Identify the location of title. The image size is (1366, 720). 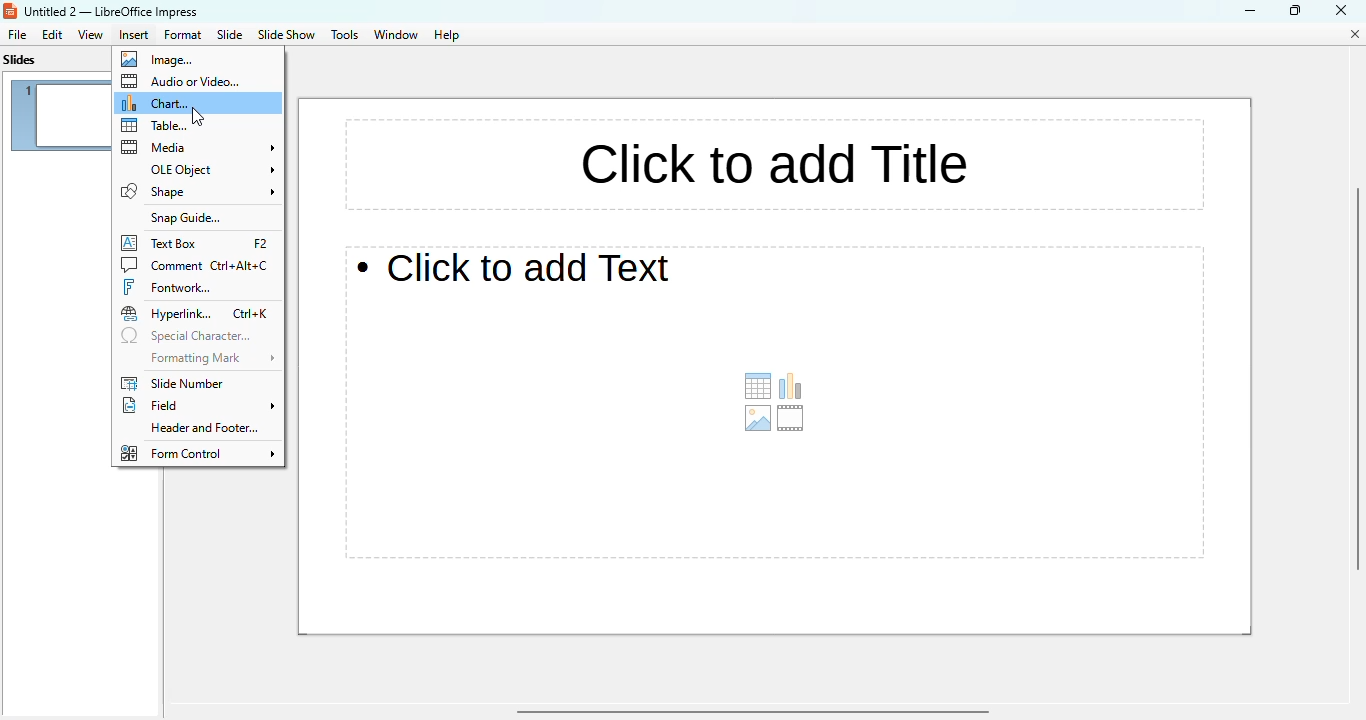
(113, 13).